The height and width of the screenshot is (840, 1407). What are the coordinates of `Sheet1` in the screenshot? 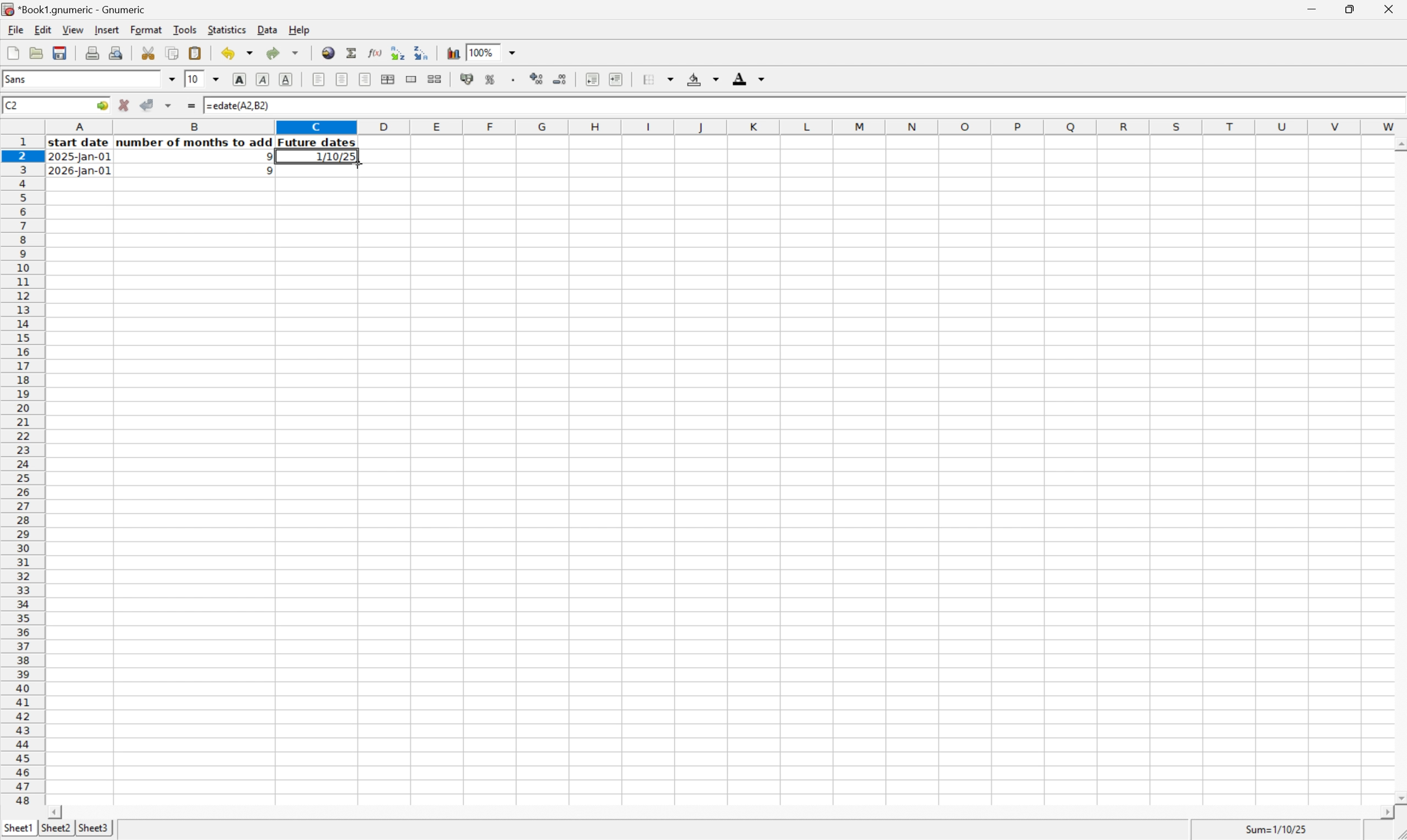 It's located at (18, 828).